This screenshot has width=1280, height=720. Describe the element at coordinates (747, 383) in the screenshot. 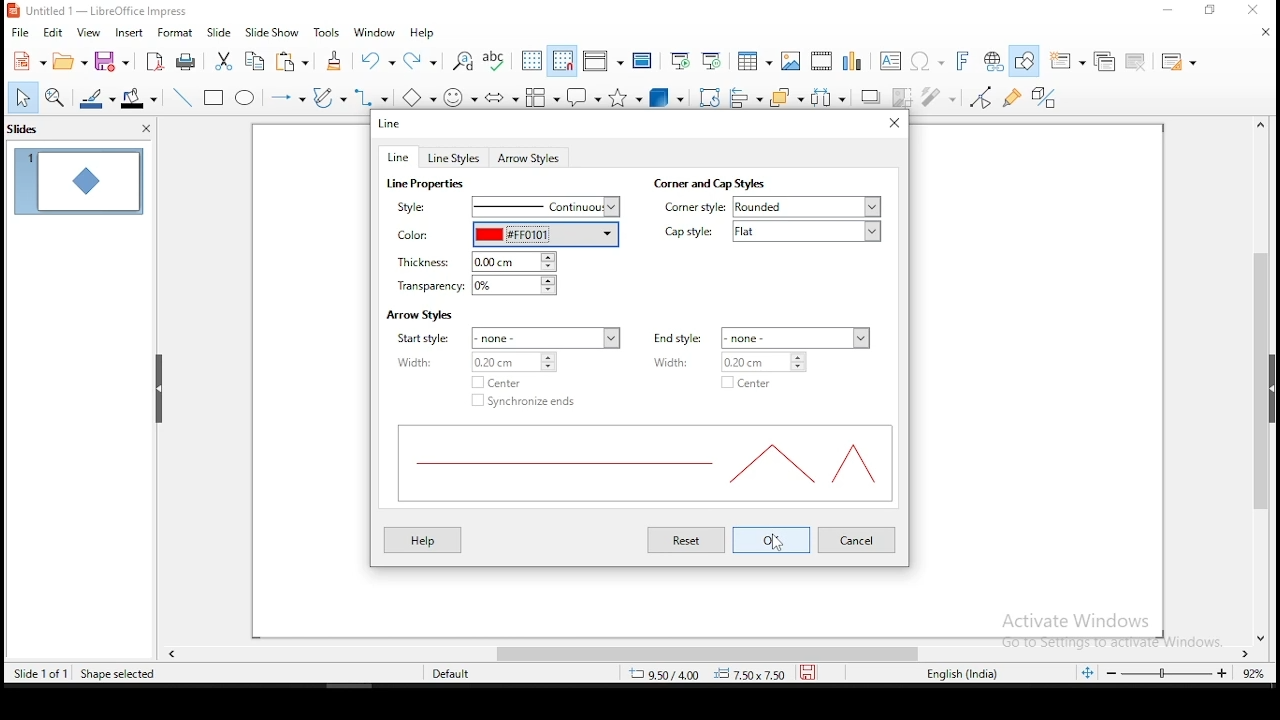

I see `center` at that location.